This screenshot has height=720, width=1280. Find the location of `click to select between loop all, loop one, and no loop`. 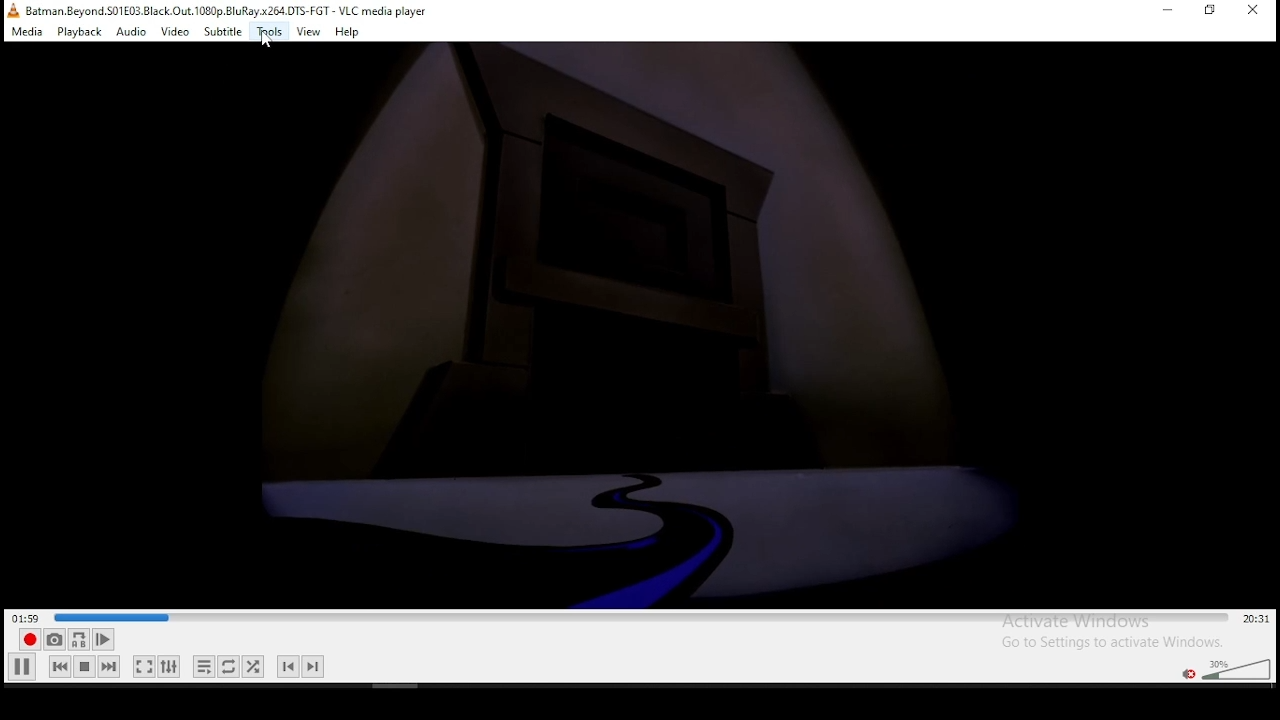

click to select between loop all, loop one, and no loop is located at coordinates (227, 668).